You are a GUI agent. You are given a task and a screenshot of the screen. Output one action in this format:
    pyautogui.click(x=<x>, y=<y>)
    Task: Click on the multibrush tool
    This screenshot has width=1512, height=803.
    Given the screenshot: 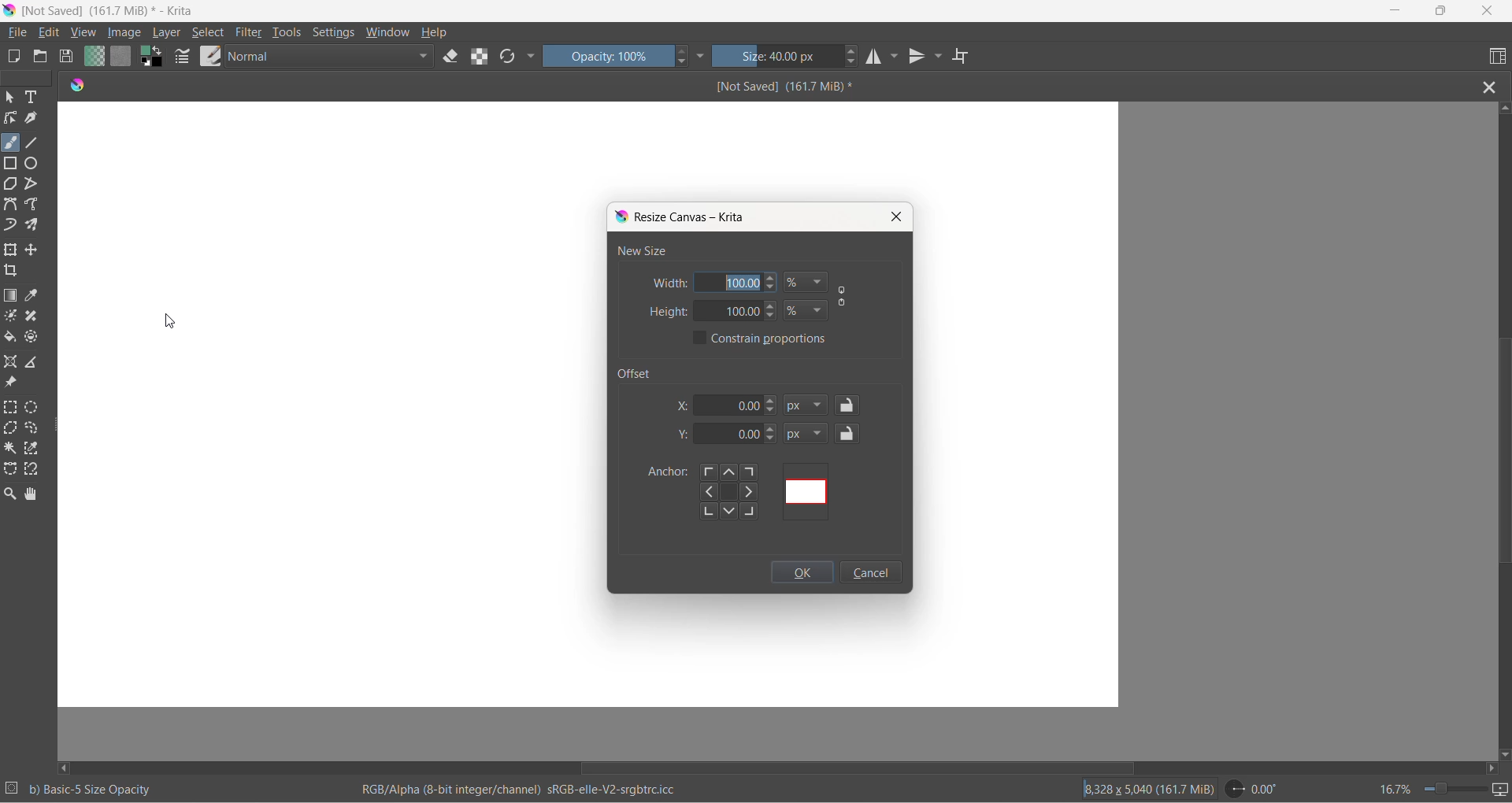 What is the action you would take?
    pyautogui.click(x=37, y=225)
    